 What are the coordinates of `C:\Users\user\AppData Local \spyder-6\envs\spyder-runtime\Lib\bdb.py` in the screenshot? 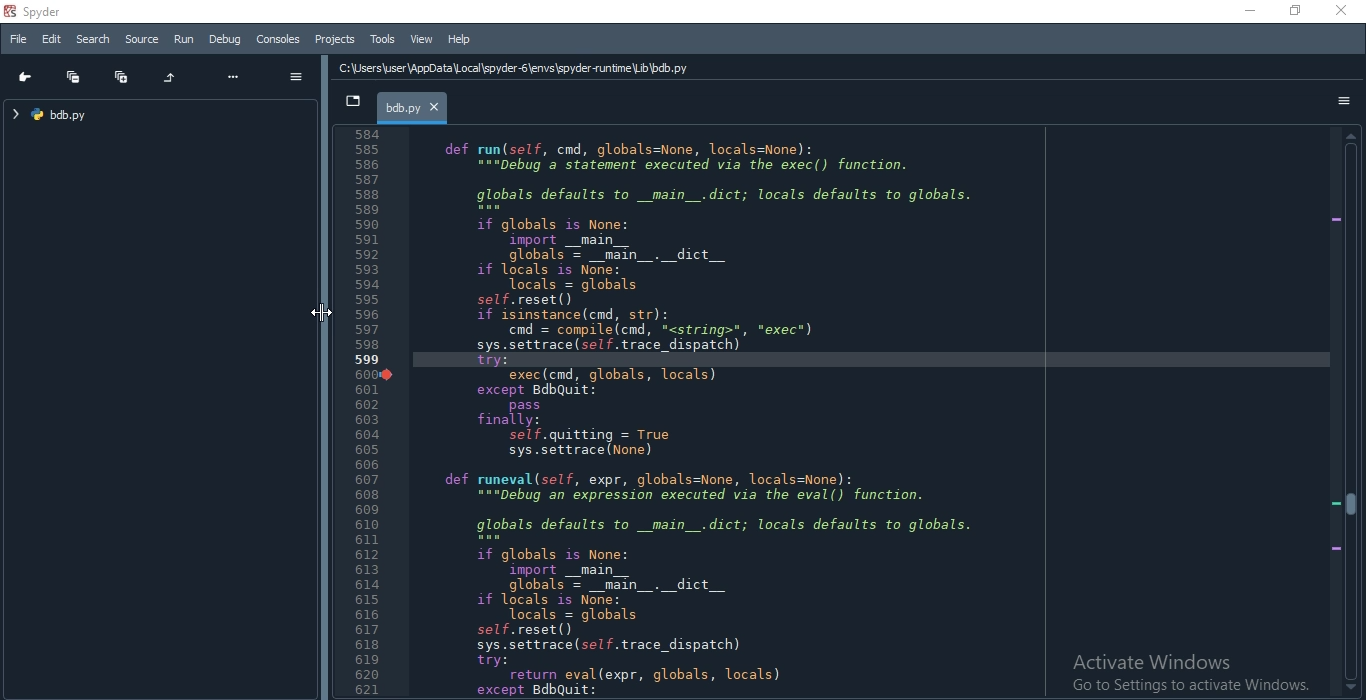 It's located at (516, 68).